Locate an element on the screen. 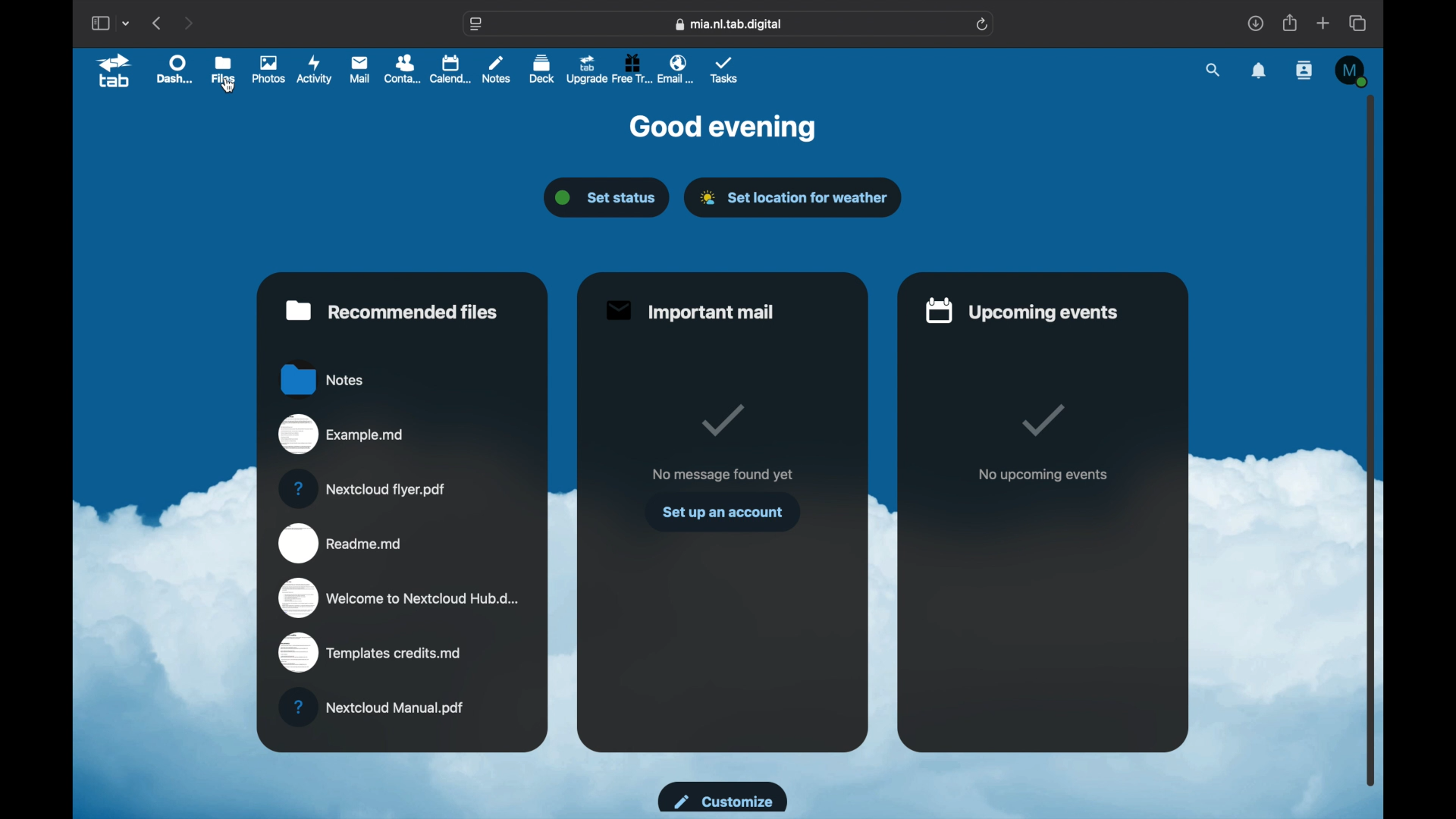  photos is located at coordinates (268, 69).